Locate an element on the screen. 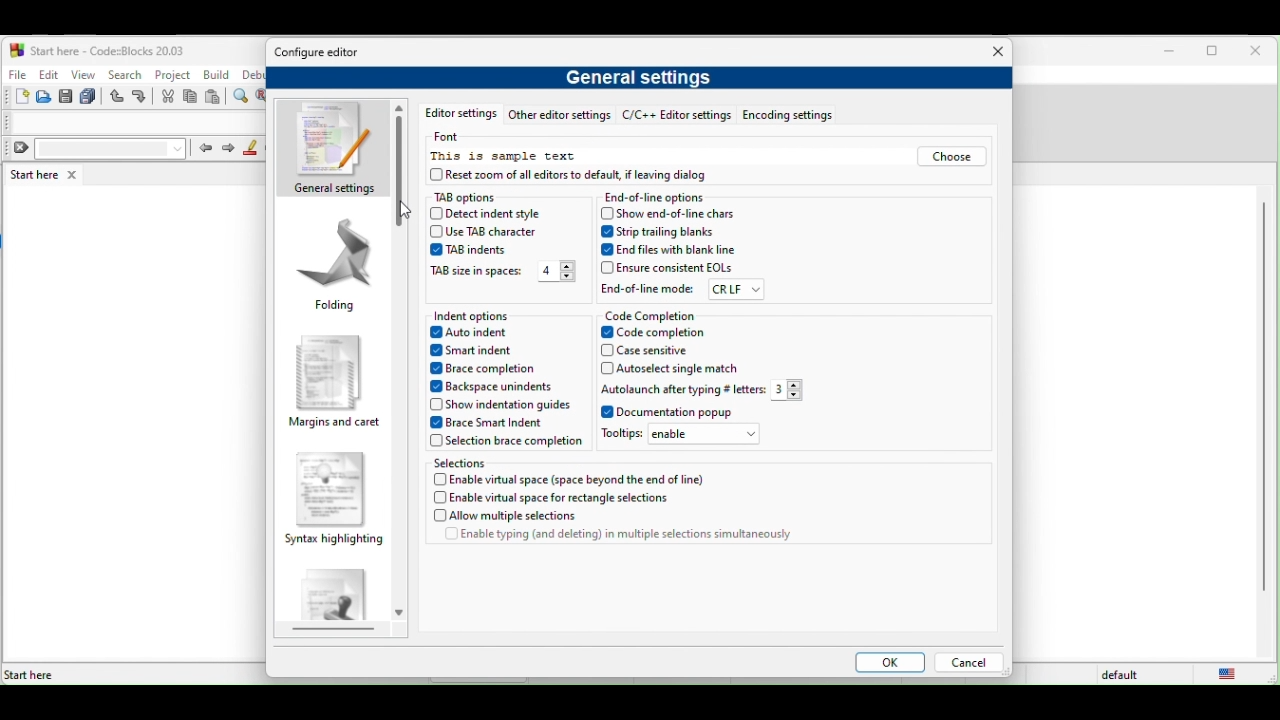 This screenshot has height=720, width=1280. start here-code blocks-20.03 is located at coordinates (97, 49).